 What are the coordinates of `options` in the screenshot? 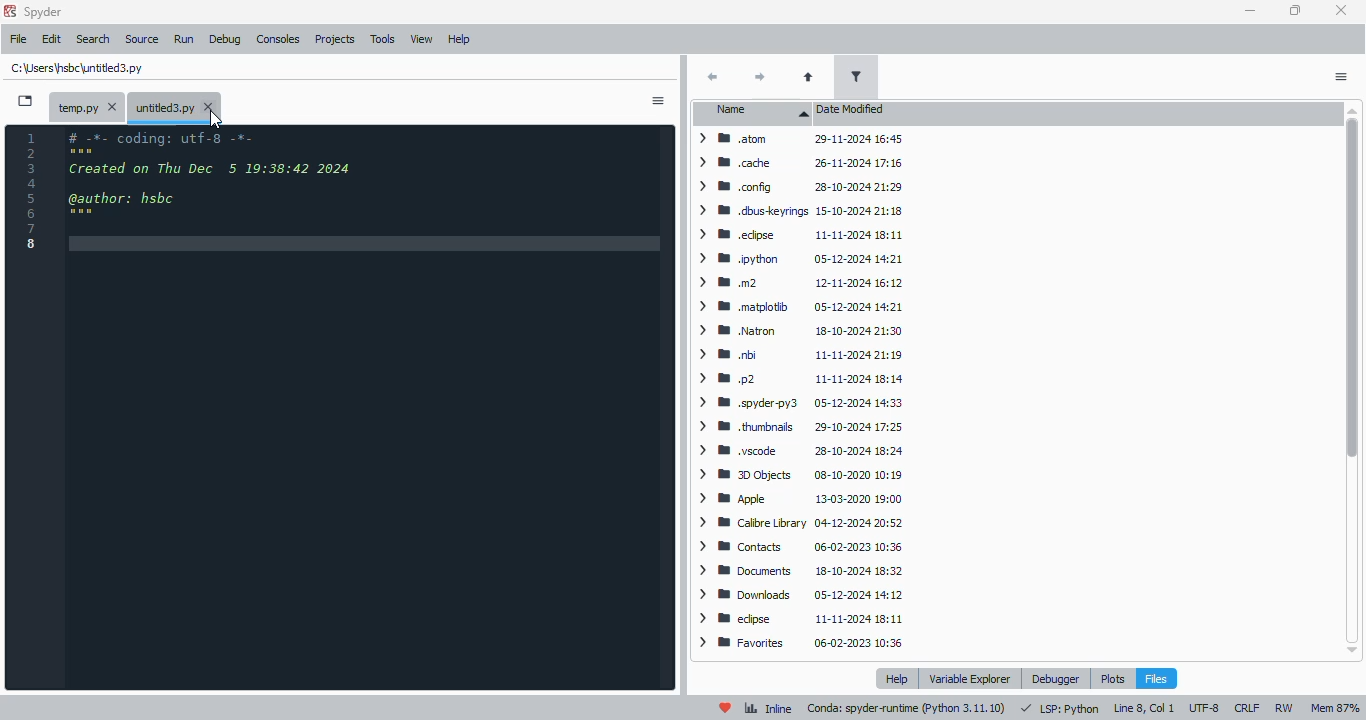 It's located at (1340, 77).